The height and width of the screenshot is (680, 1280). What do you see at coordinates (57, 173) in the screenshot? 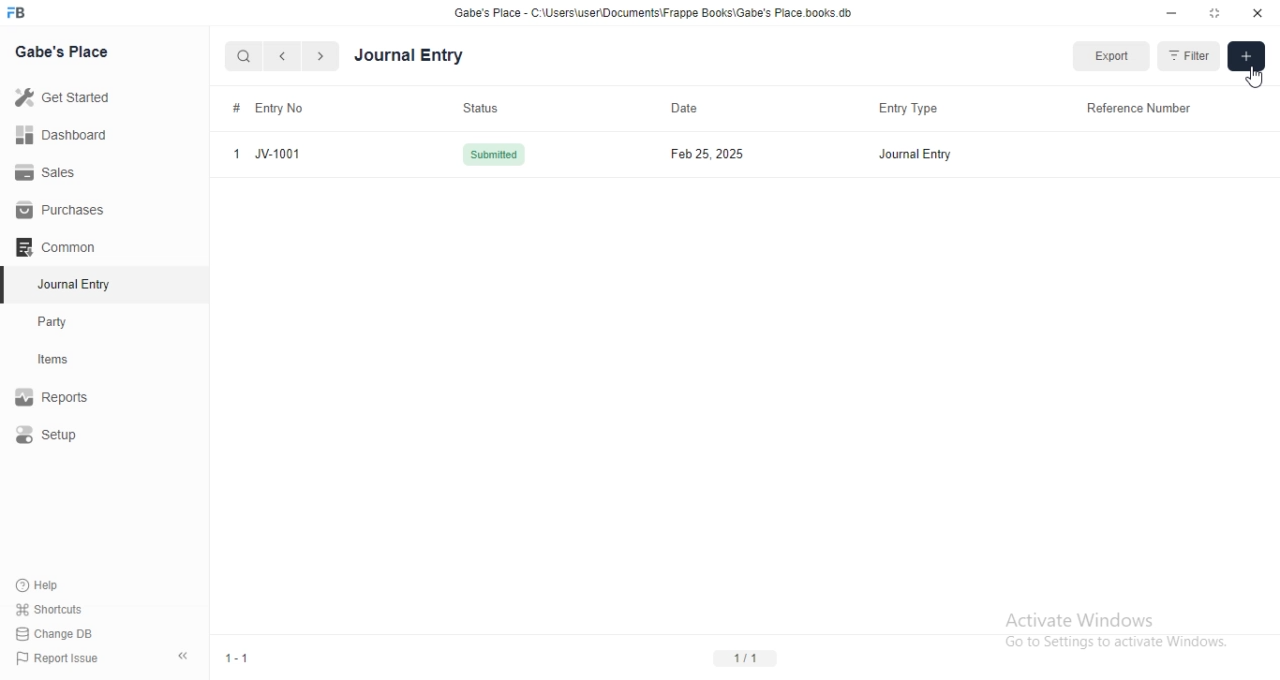
I see `Sales` at bounding box center [57, 173].